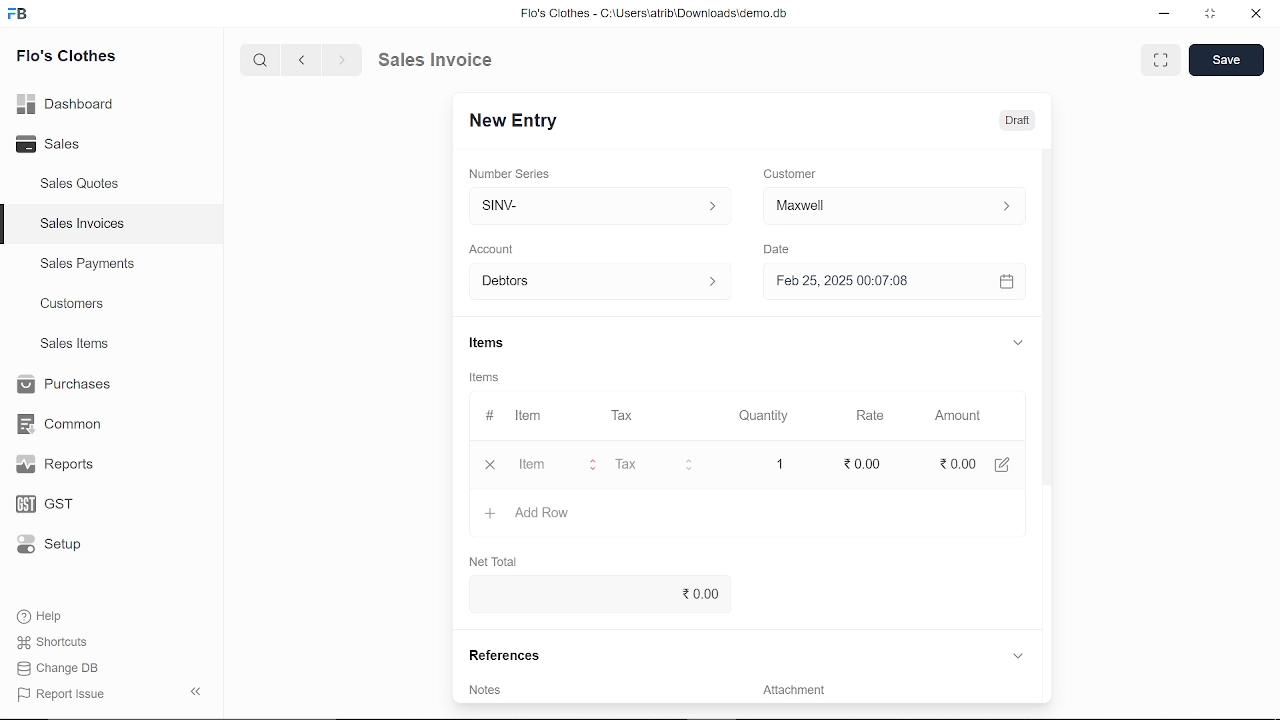  Describe the element at coordinates (491, 343) in the screenshot. I see `Items` at that location.